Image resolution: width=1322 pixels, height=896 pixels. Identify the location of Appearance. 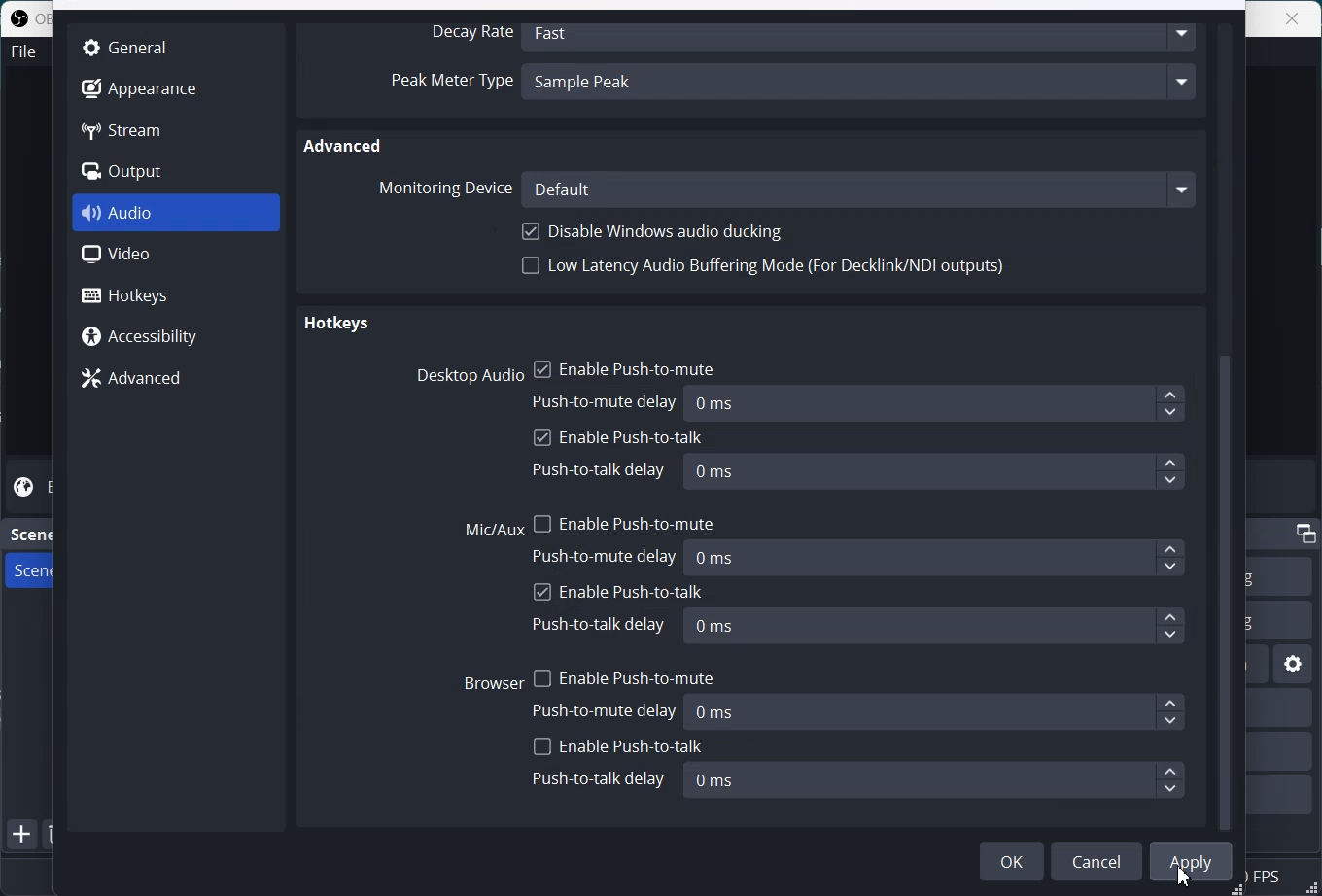
(138, 86).